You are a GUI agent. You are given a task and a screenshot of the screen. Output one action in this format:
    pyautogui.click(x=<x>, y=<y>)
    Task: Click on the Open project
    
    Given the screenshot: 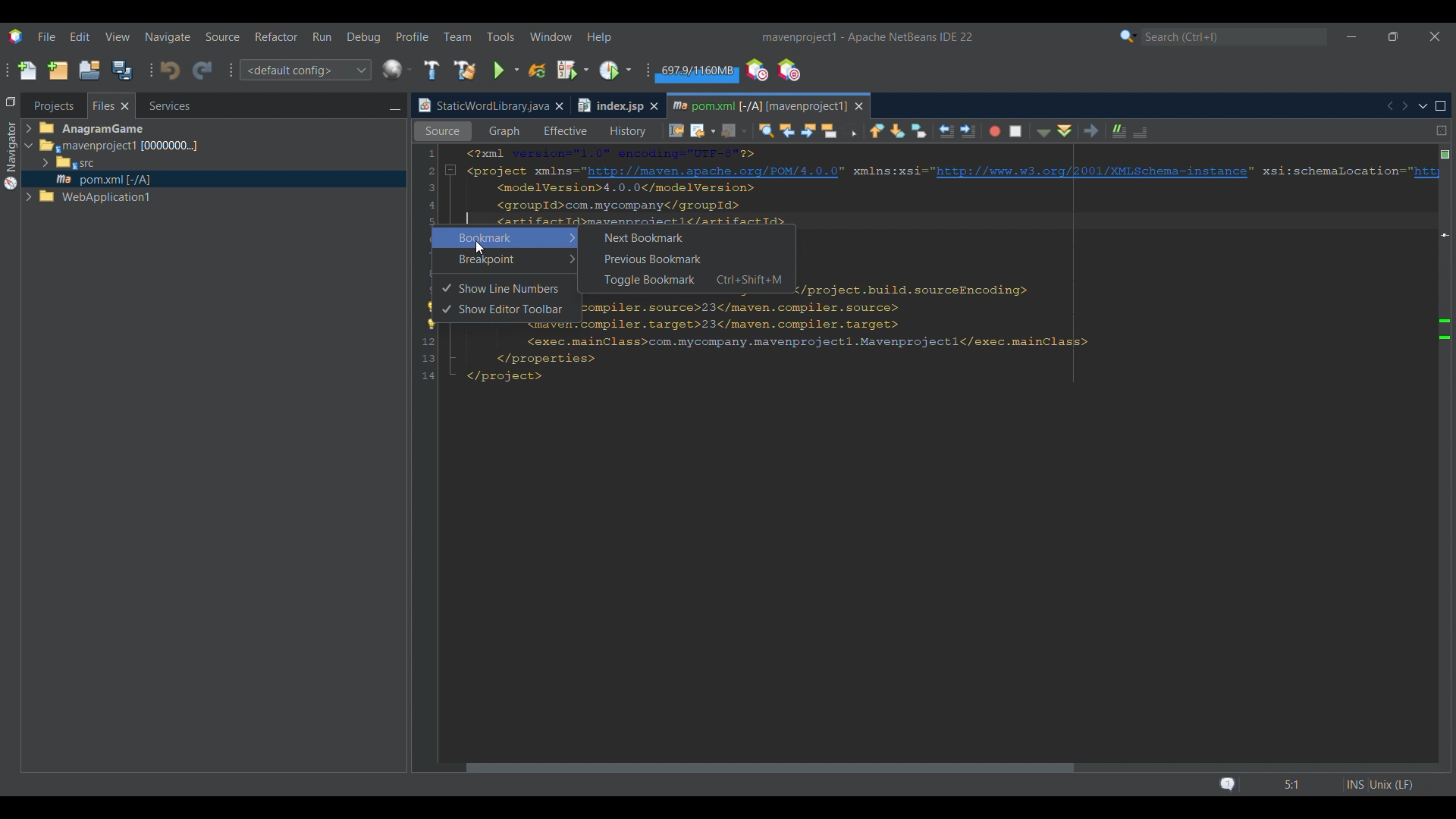 What is the action you would take?
    pyautogui.click(x=89, y=70)
    